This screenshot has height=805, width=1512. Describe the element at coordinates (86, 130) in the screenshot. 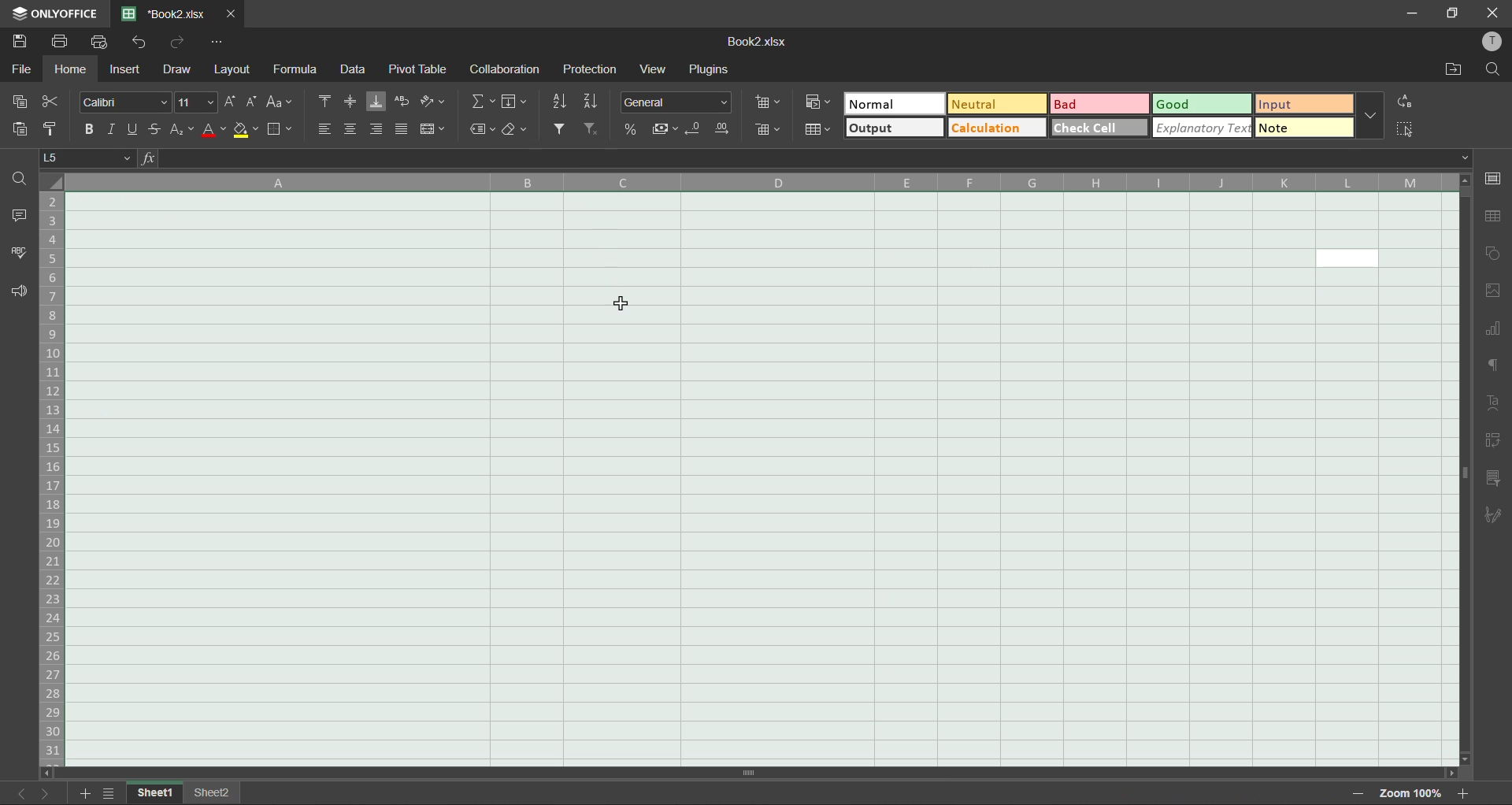

I see `bold` at that location.